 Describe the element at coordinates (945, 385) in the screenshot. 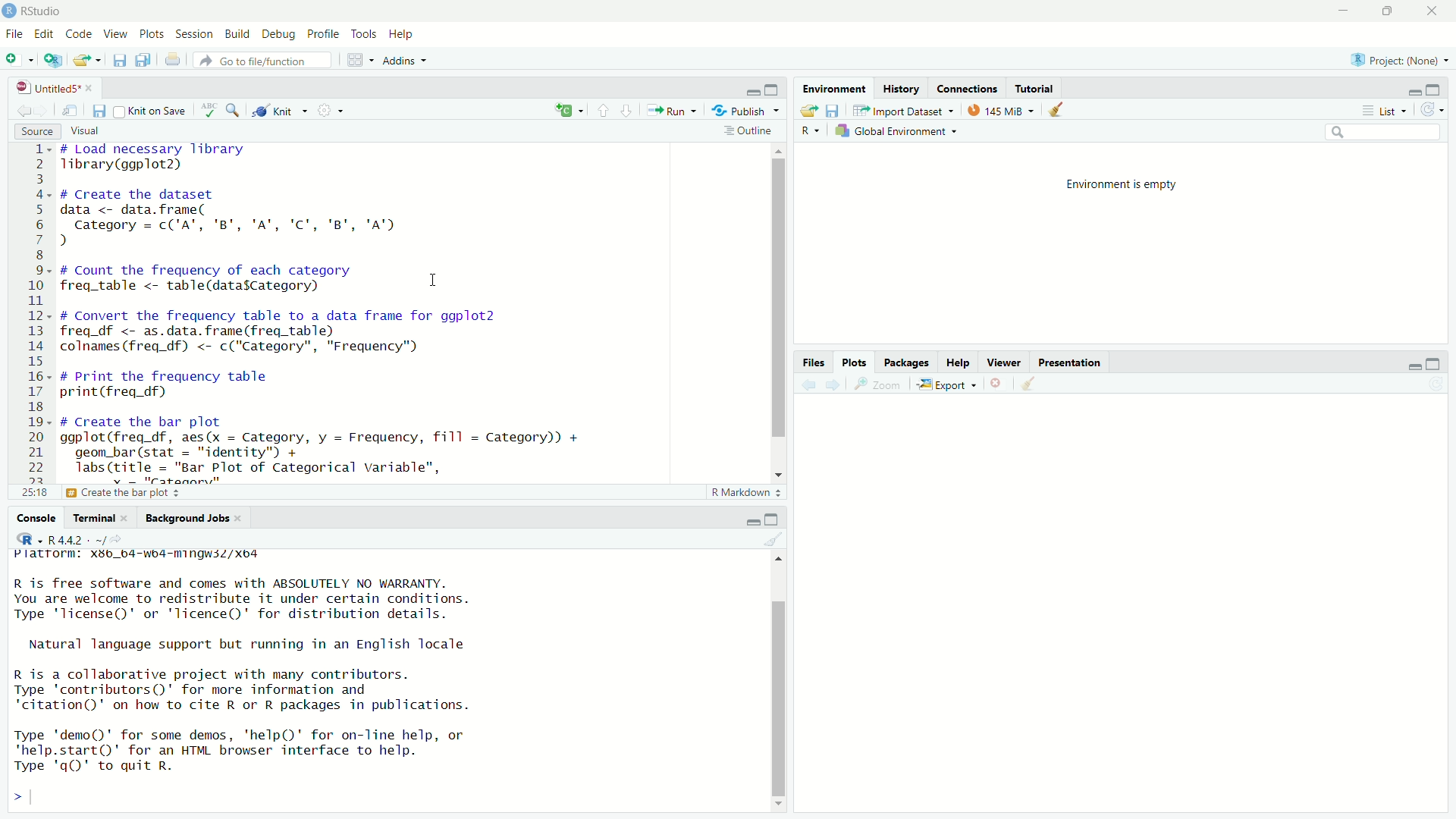

I see `export` at that location.